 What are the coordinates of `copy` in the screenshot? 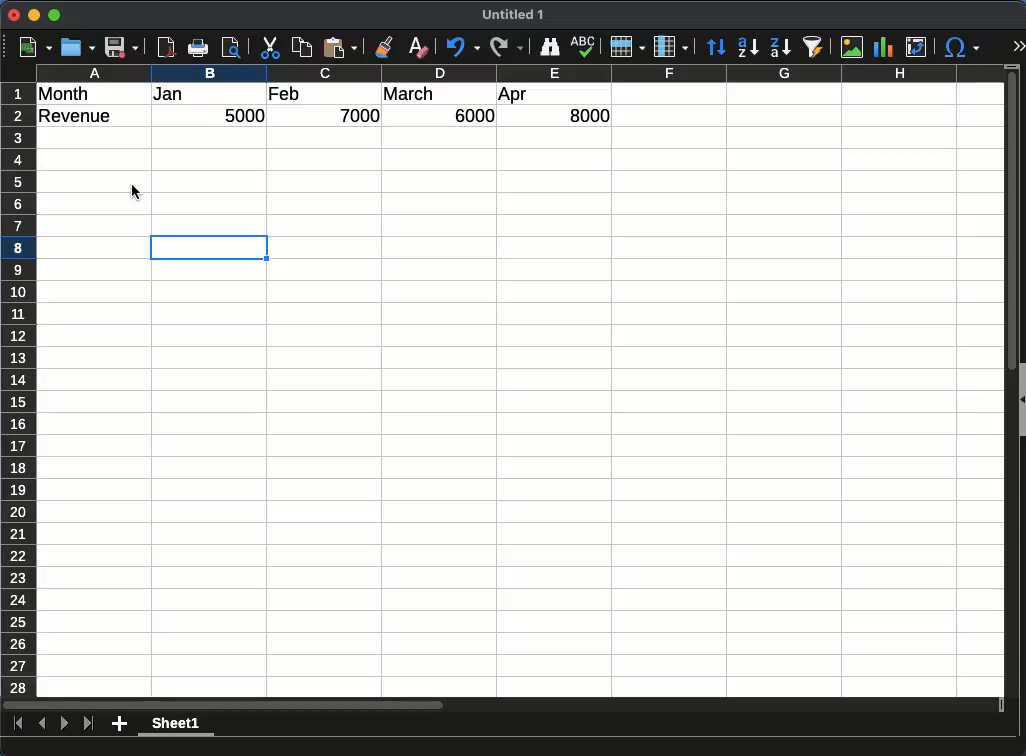 It's located at (303, 47).